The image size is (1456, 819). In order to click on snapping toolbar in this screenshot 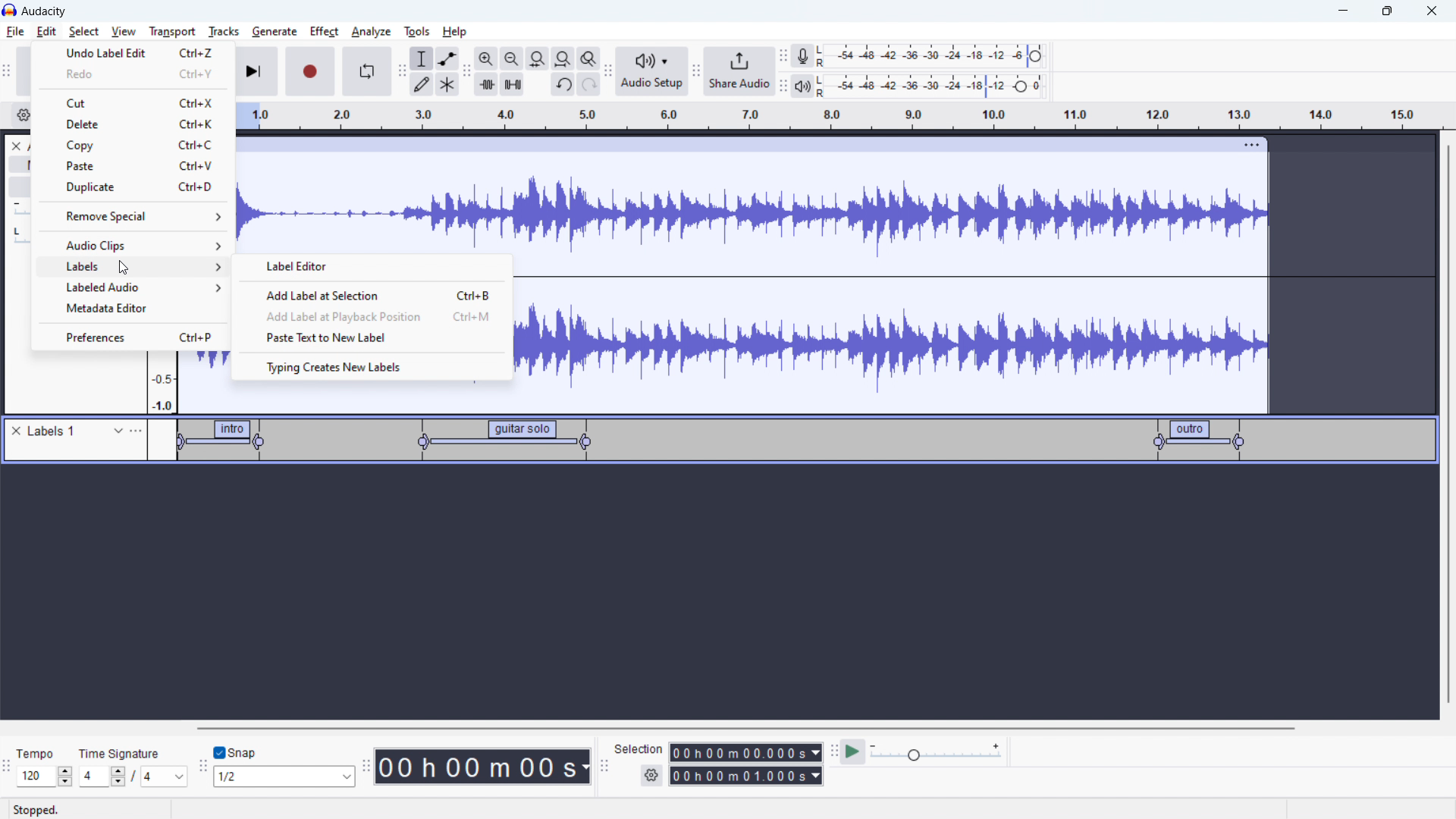, I will do `click(203, 768)`.